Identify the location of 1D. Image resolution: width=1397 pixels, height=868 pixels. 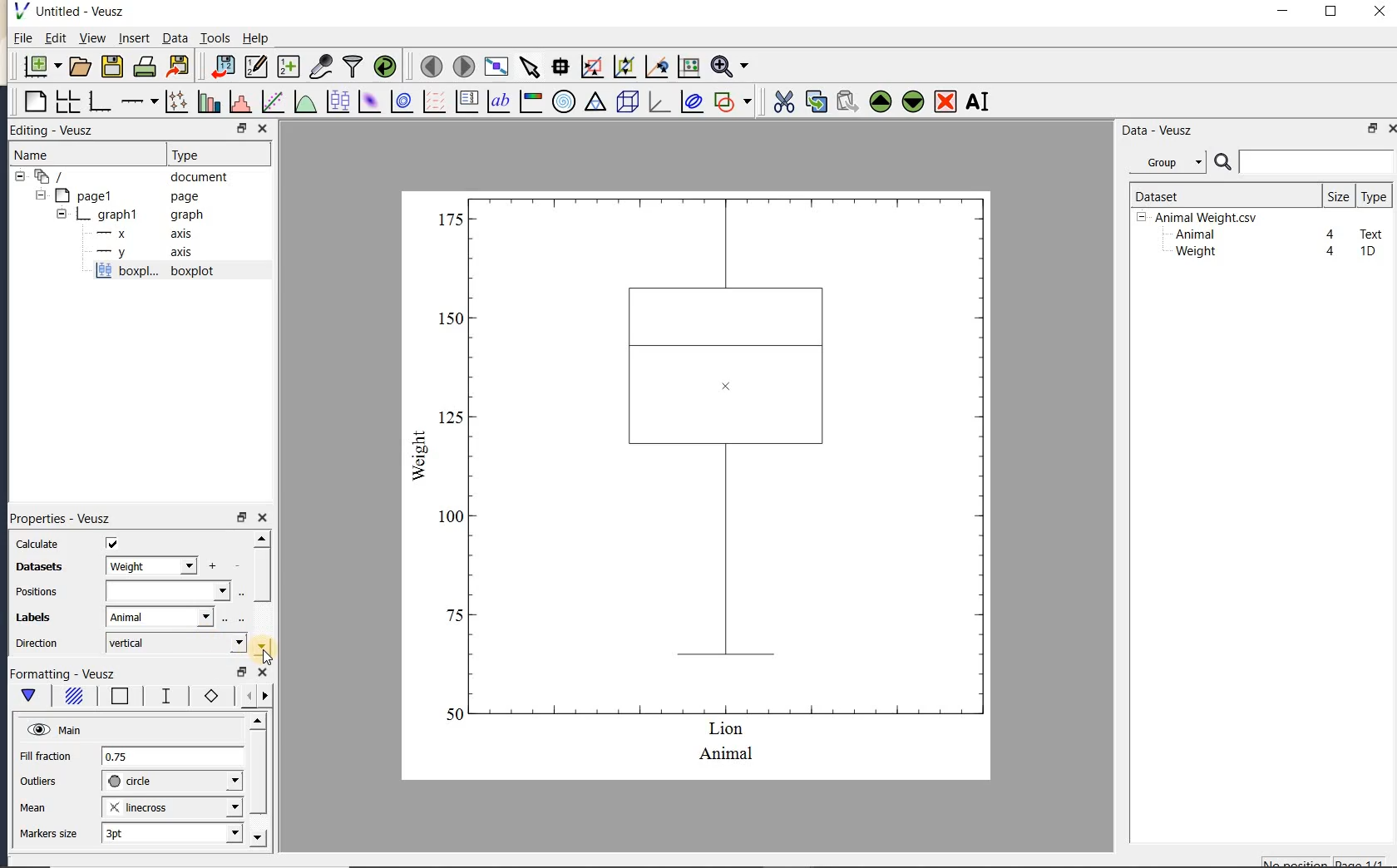
(1367, 251).